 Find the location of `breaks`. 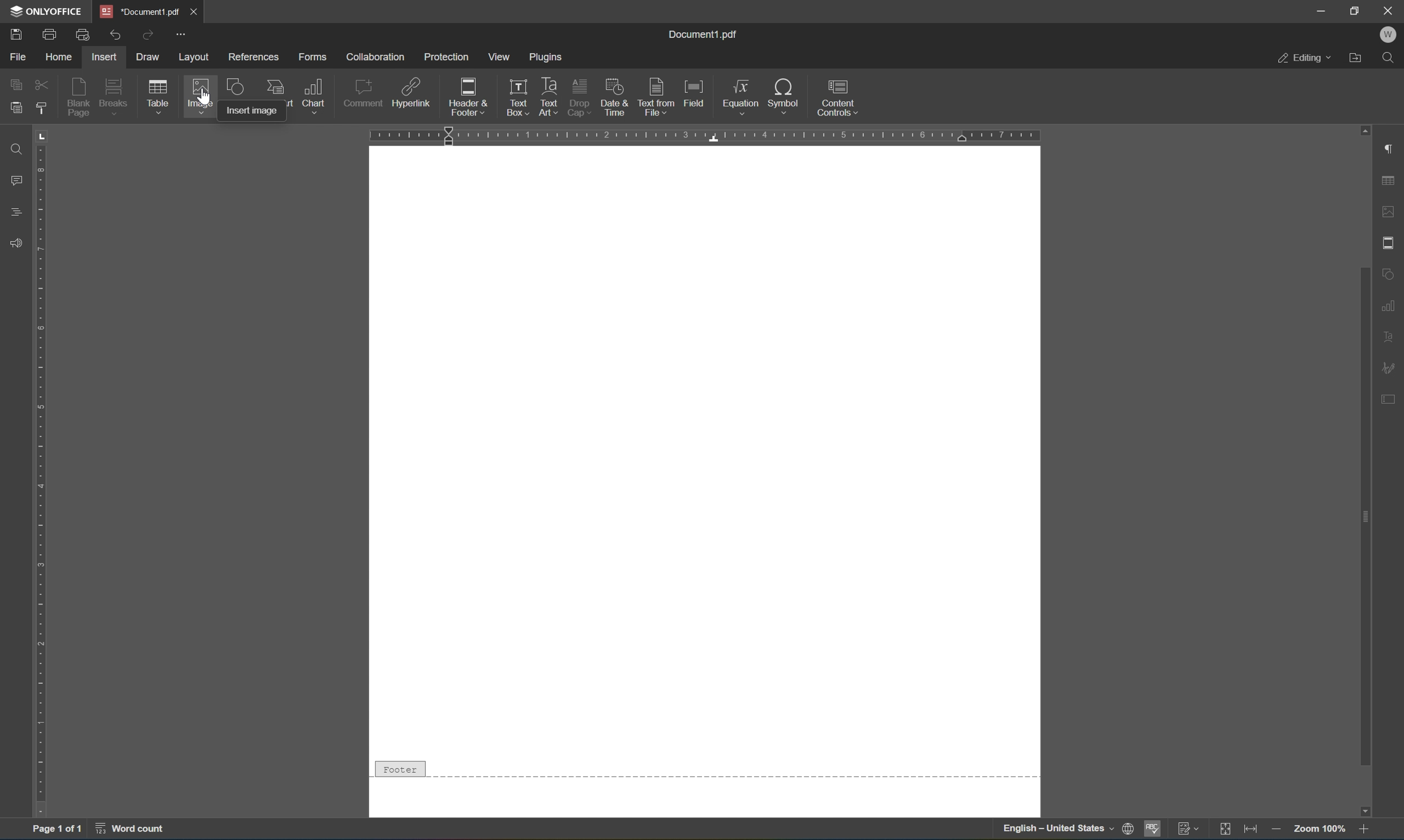

breaks is located at coordinates (115, 97).